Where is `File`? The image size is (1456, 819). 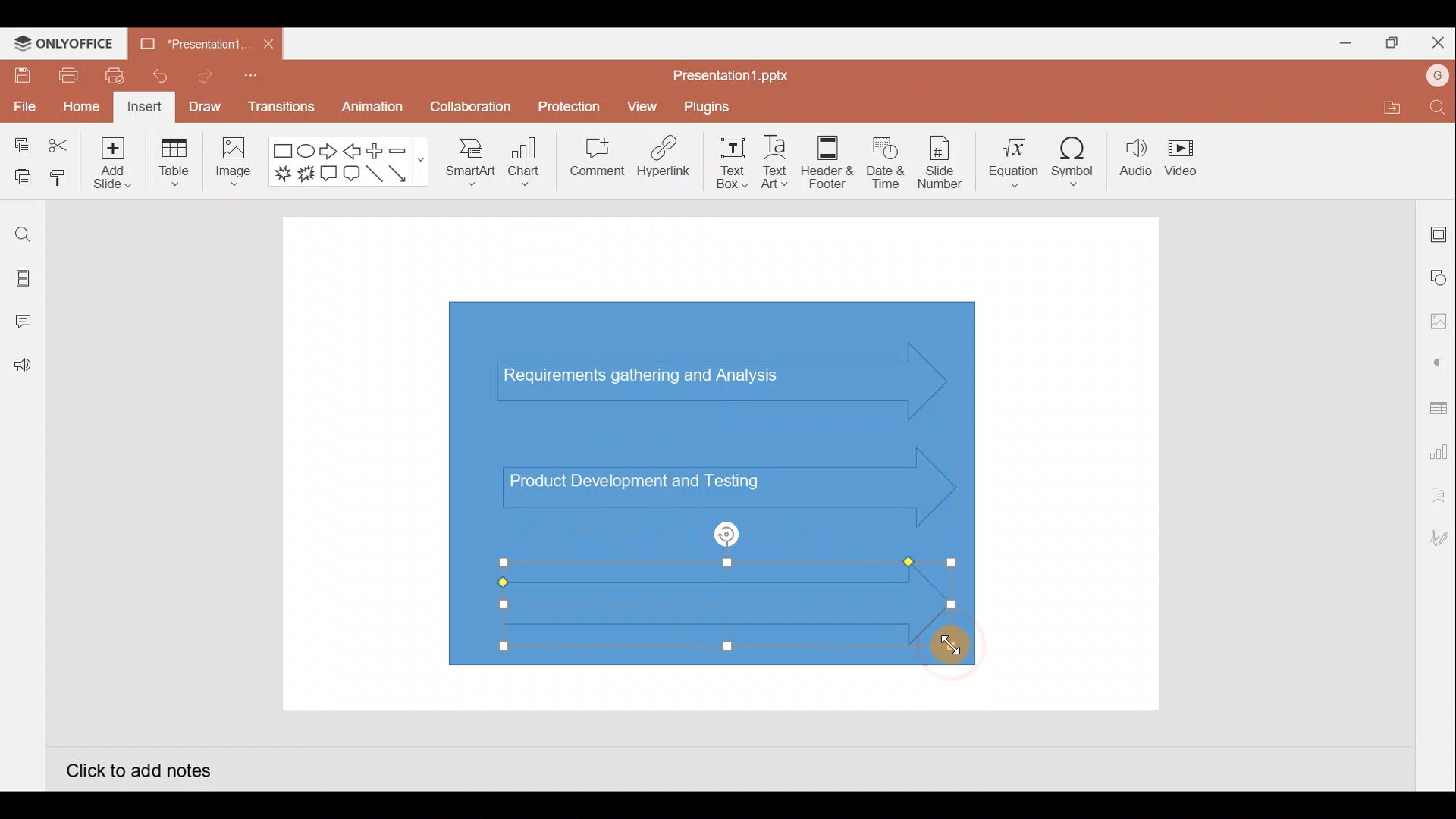
File is located at coordinates (23, 104).